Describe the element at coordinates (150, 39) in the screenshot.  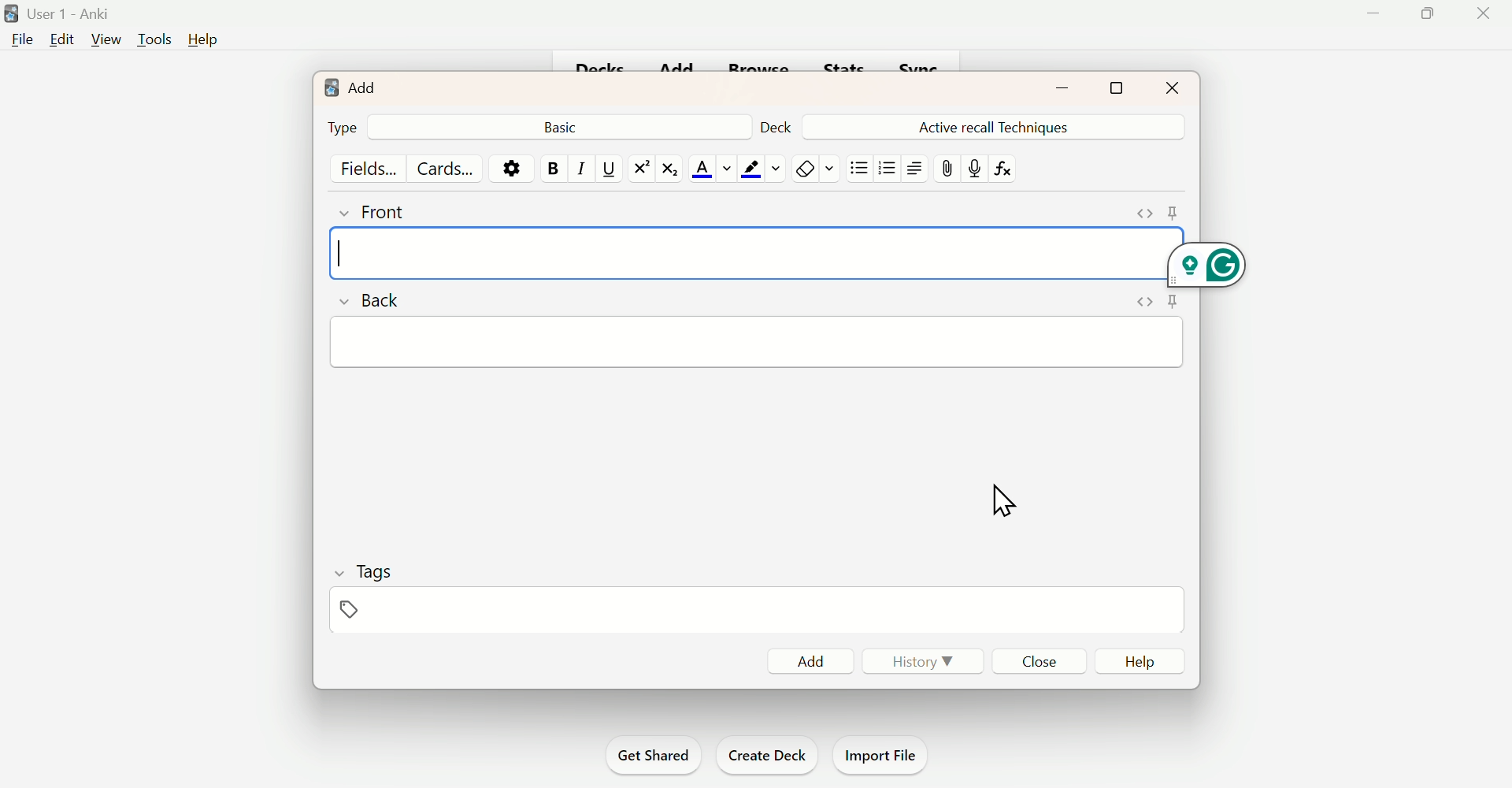
I see `Tools` at that location.